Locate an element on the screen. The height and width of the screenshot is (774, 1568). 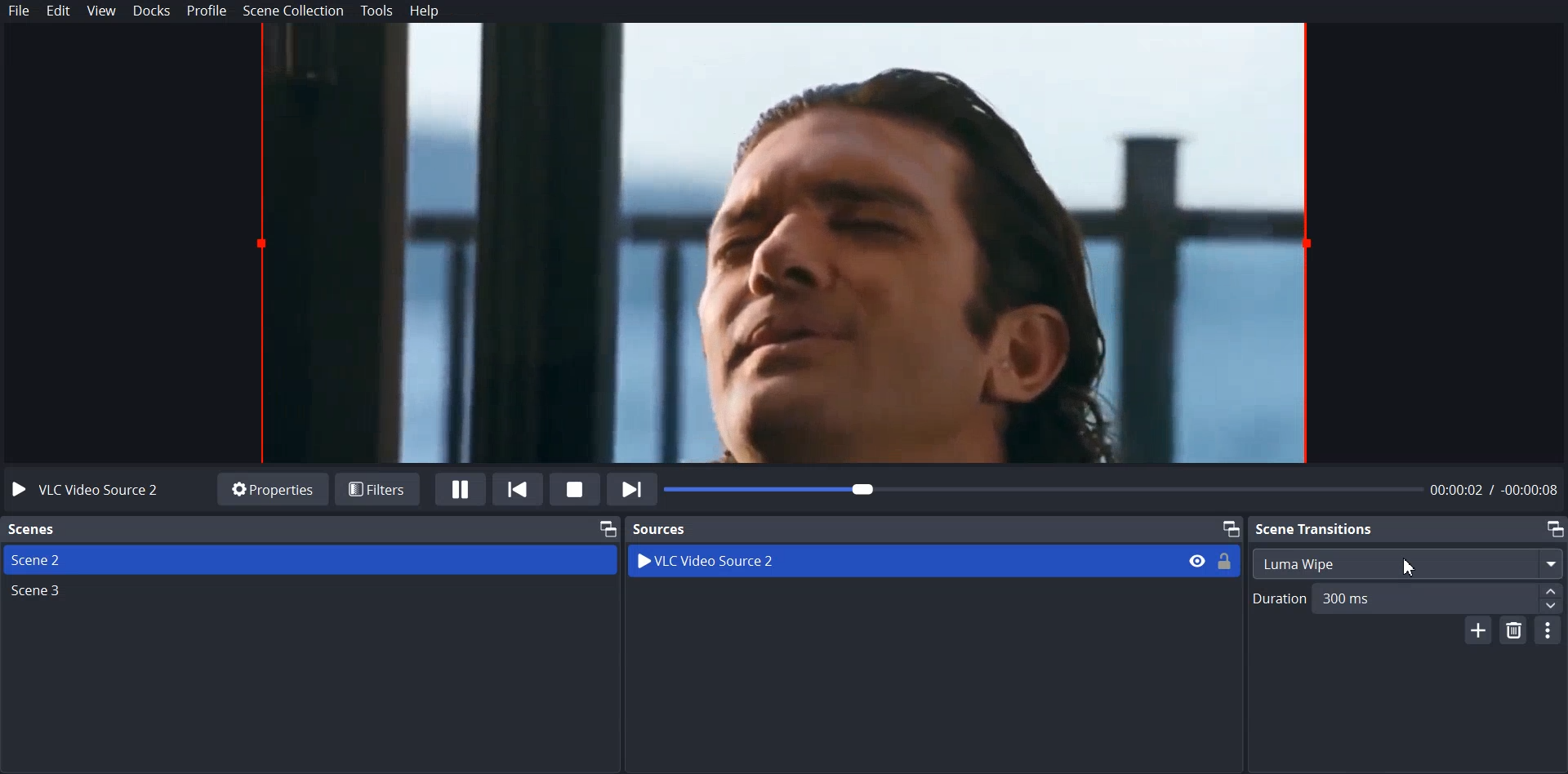
Properties is located at coordinates (272, 488).